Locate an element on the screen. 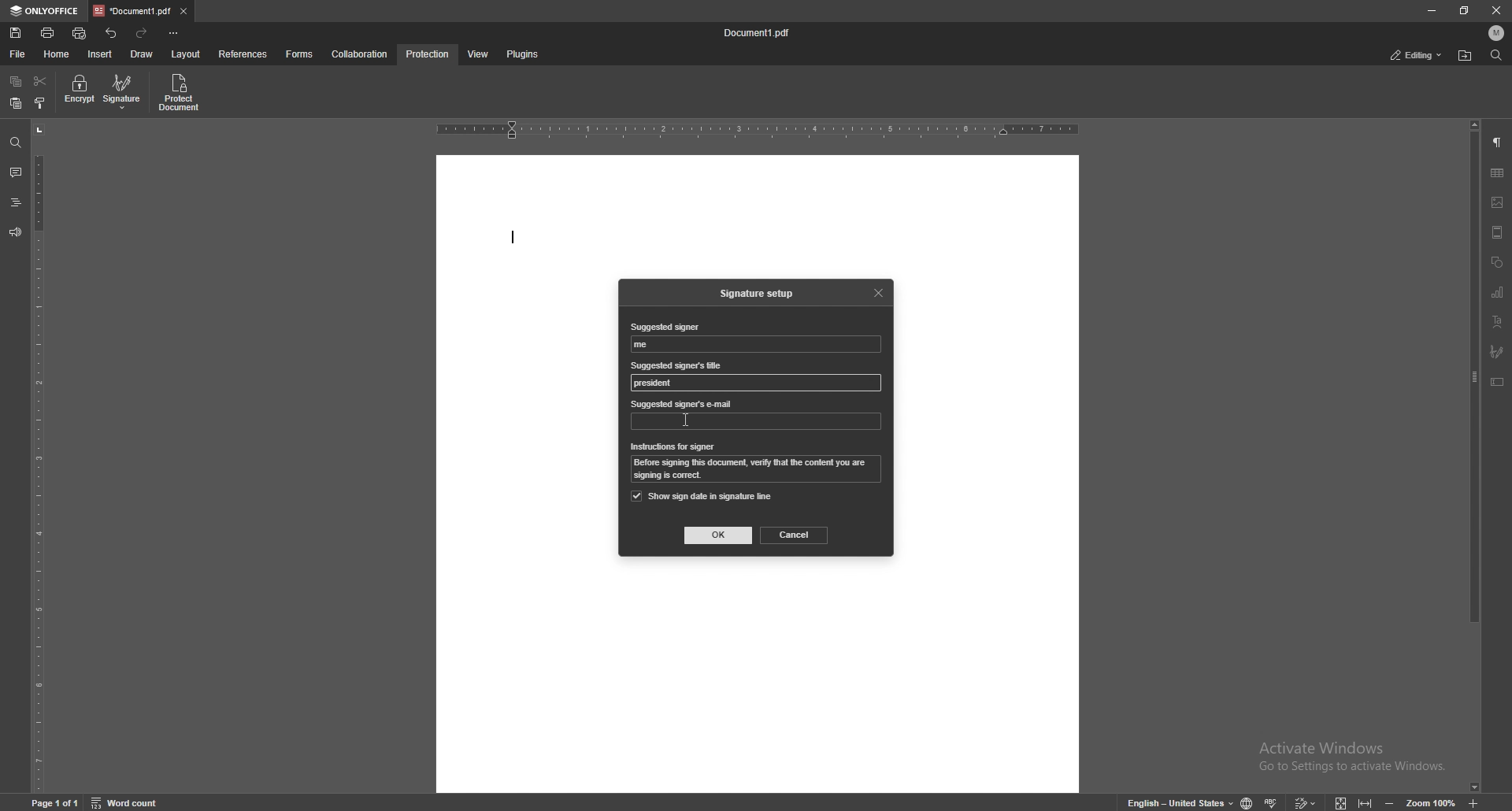 This screenshot has height=811, width=1512. close tab is located at coordinates (184, 10).